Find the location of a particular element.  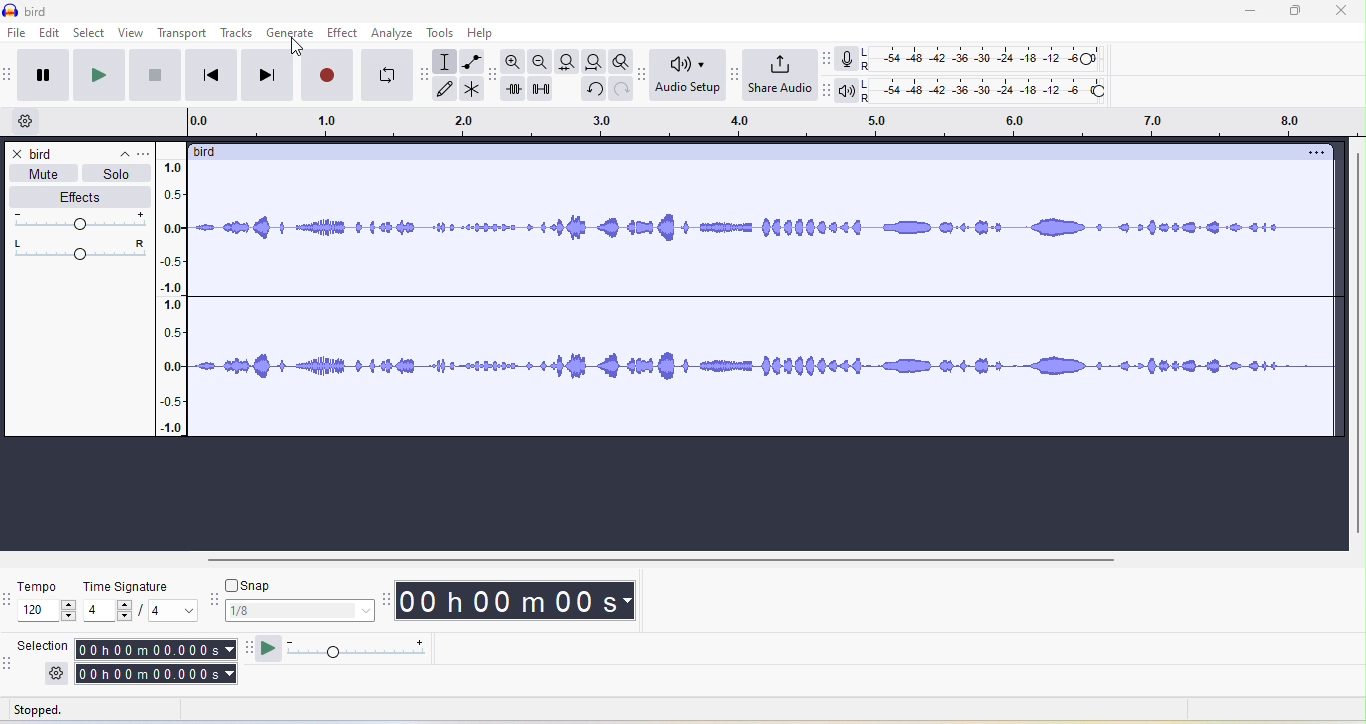

edit is located at coordinates (54, 35).